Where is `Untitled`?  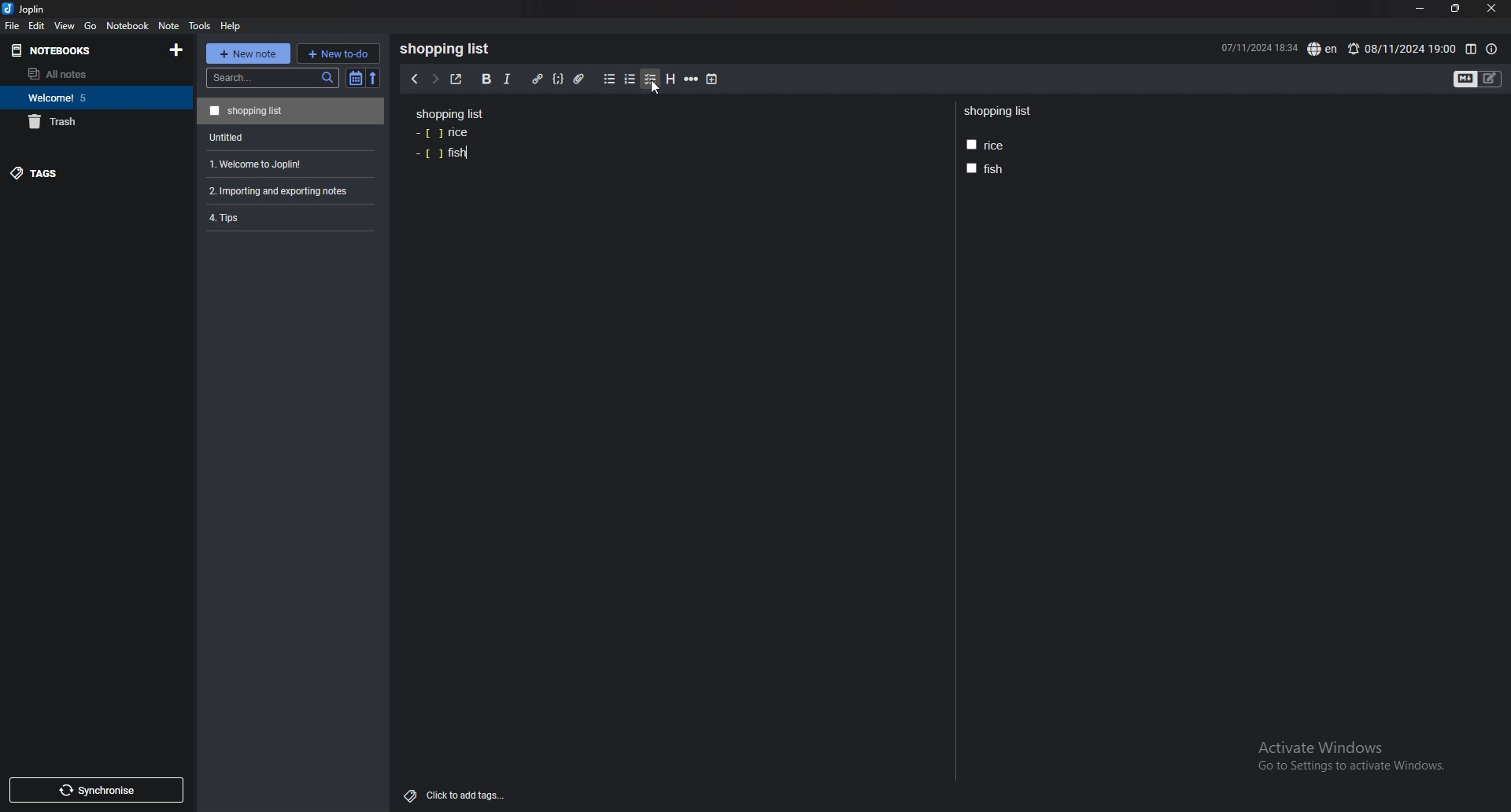 Untitled is located at coordinates (288, 136).